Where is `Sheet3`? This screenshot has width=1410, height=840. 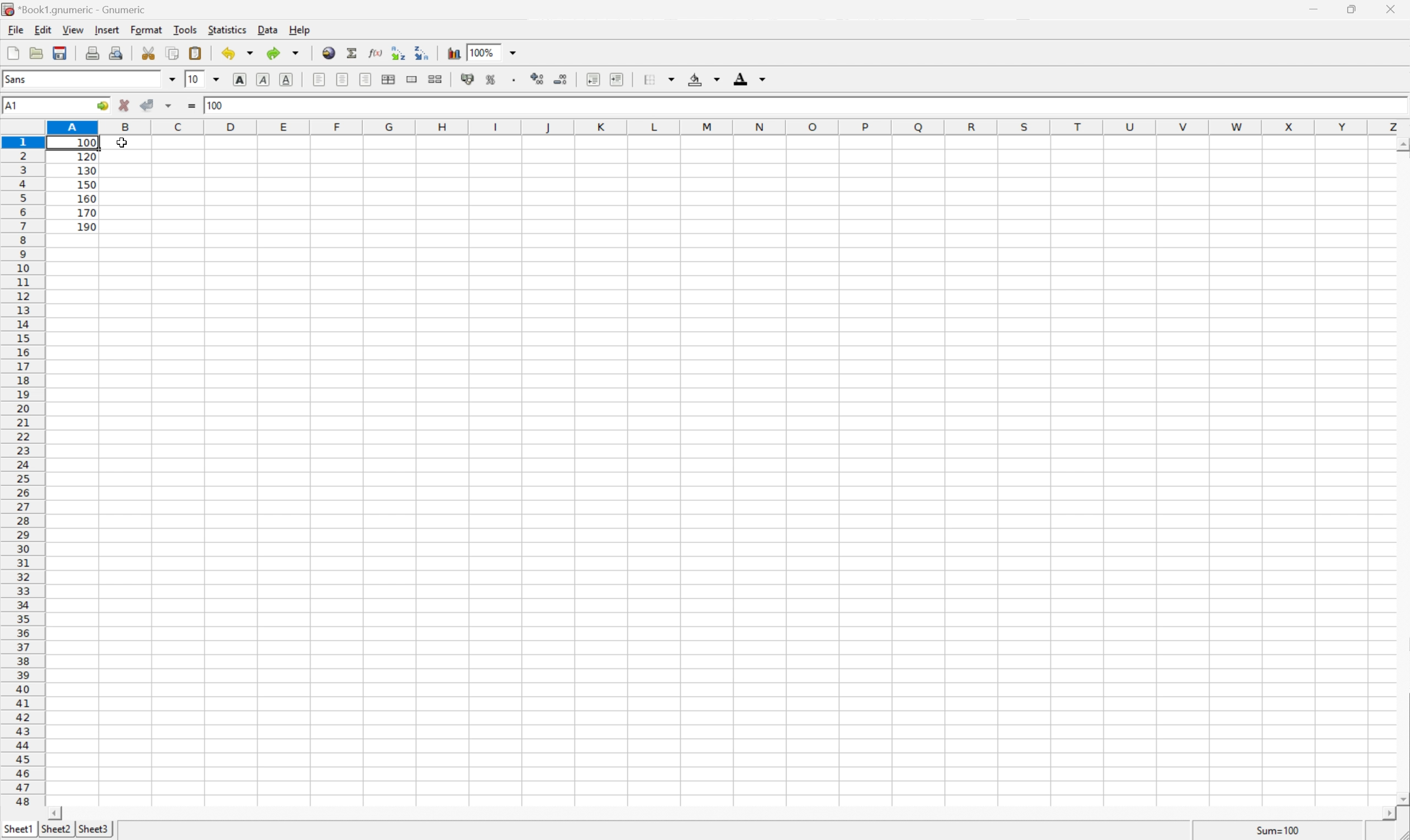
Sheet3 is located at coordinates (96, 830).